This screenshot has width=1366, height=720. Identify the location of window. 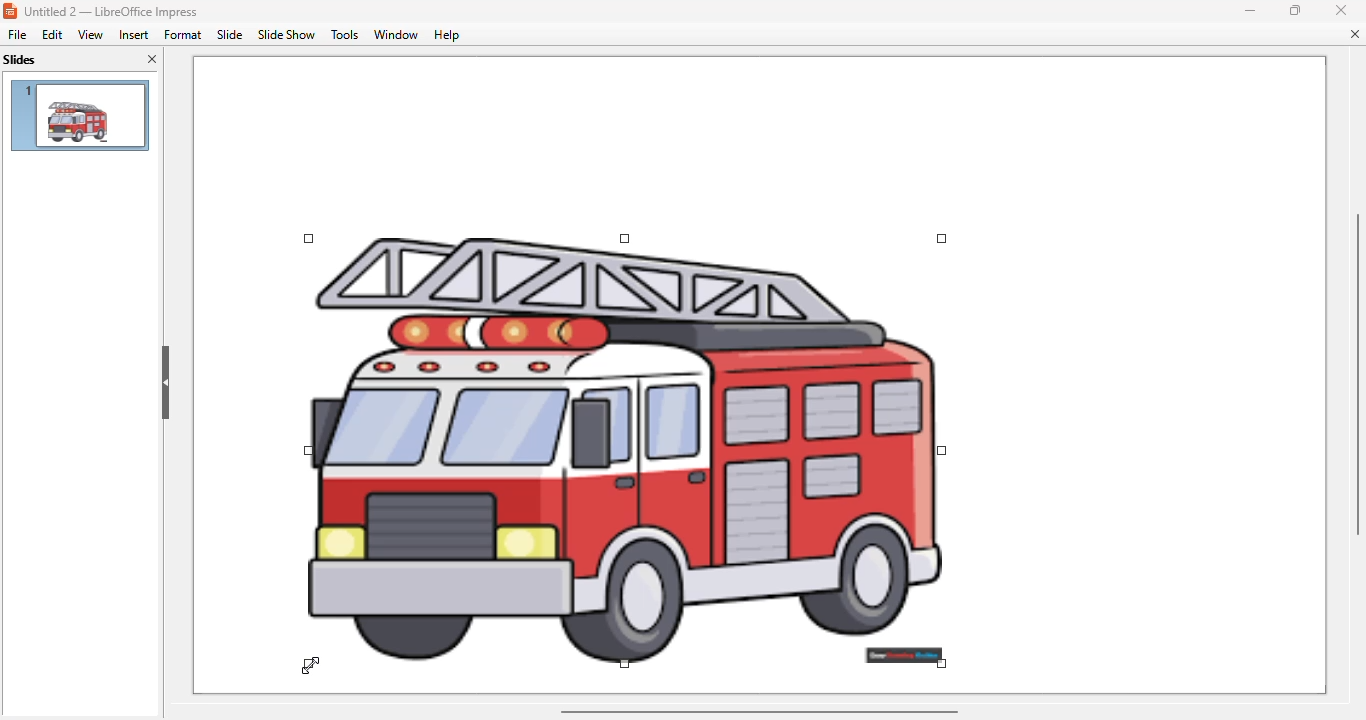
(394, 34).